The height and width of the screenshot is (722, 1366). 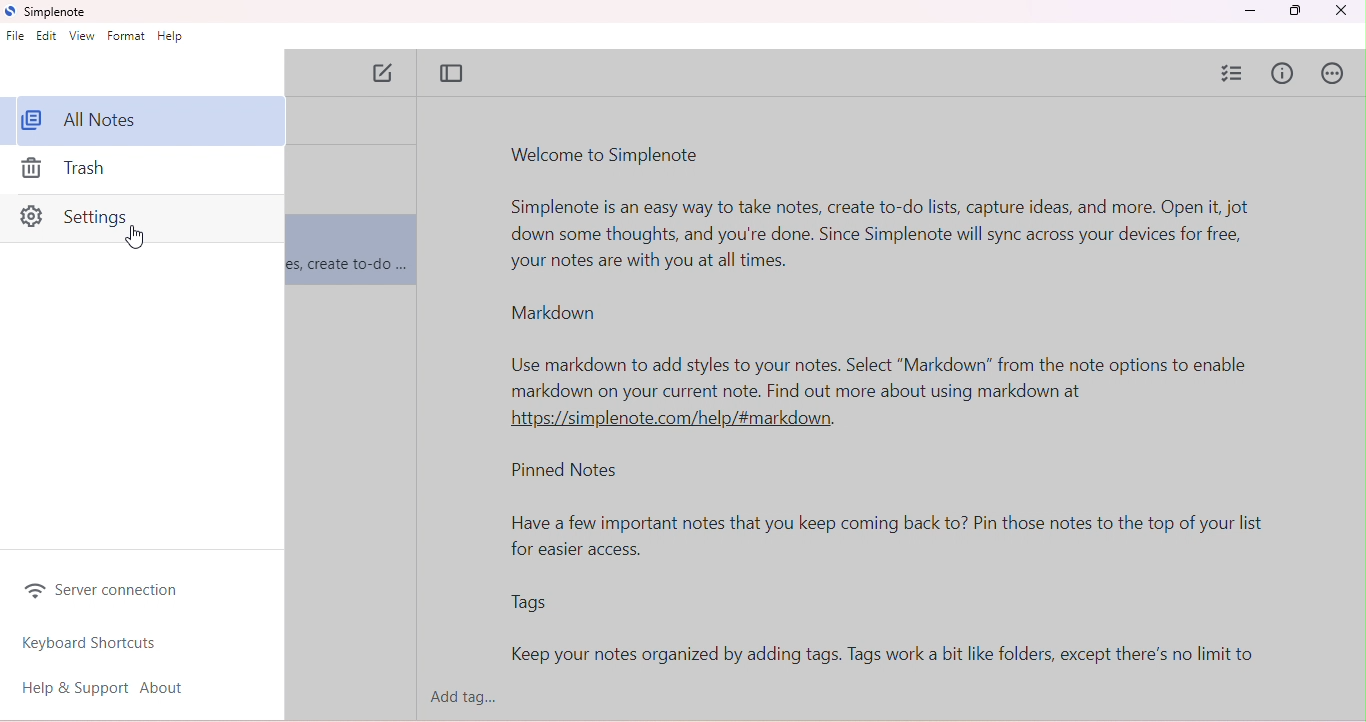 What do you see at coordinates (886, 656) in the screenshot?
I see `text on tags` at bounding box center [886, 656].